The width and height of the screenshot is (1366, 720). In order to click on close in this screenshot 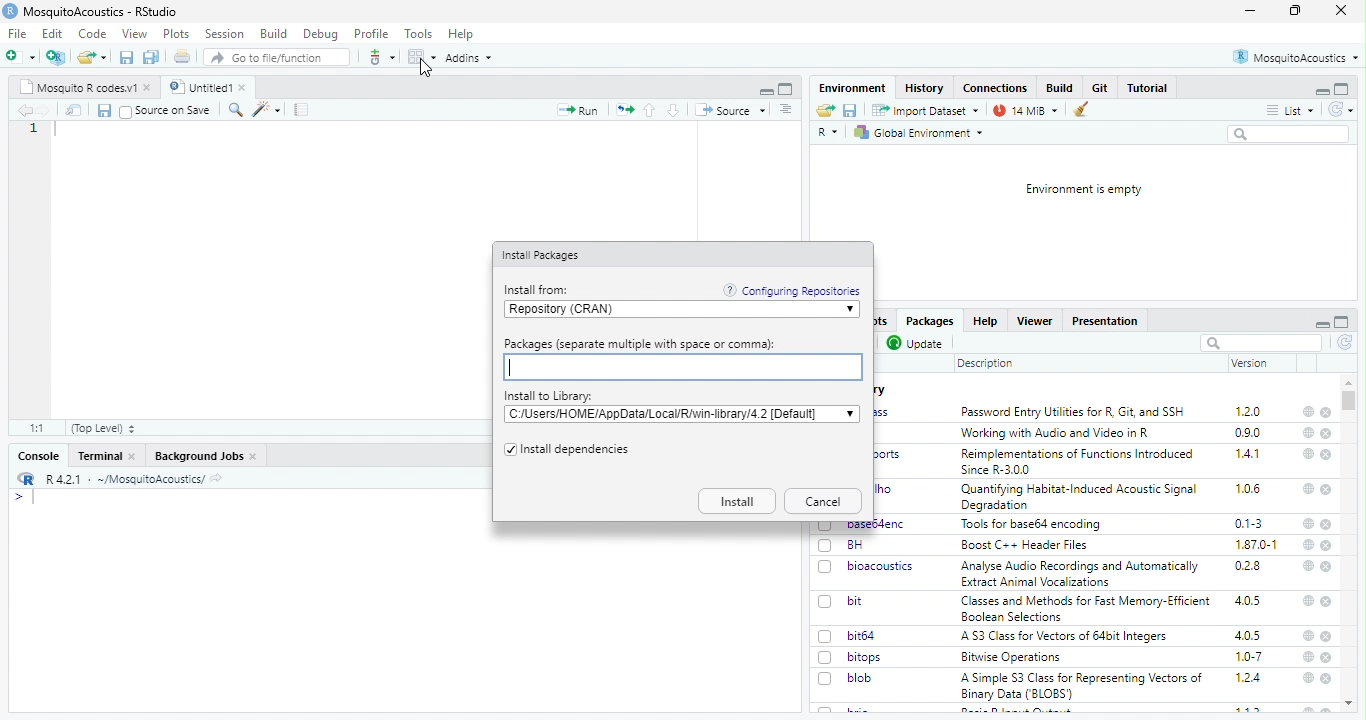, I will do `click(133, 456)`.